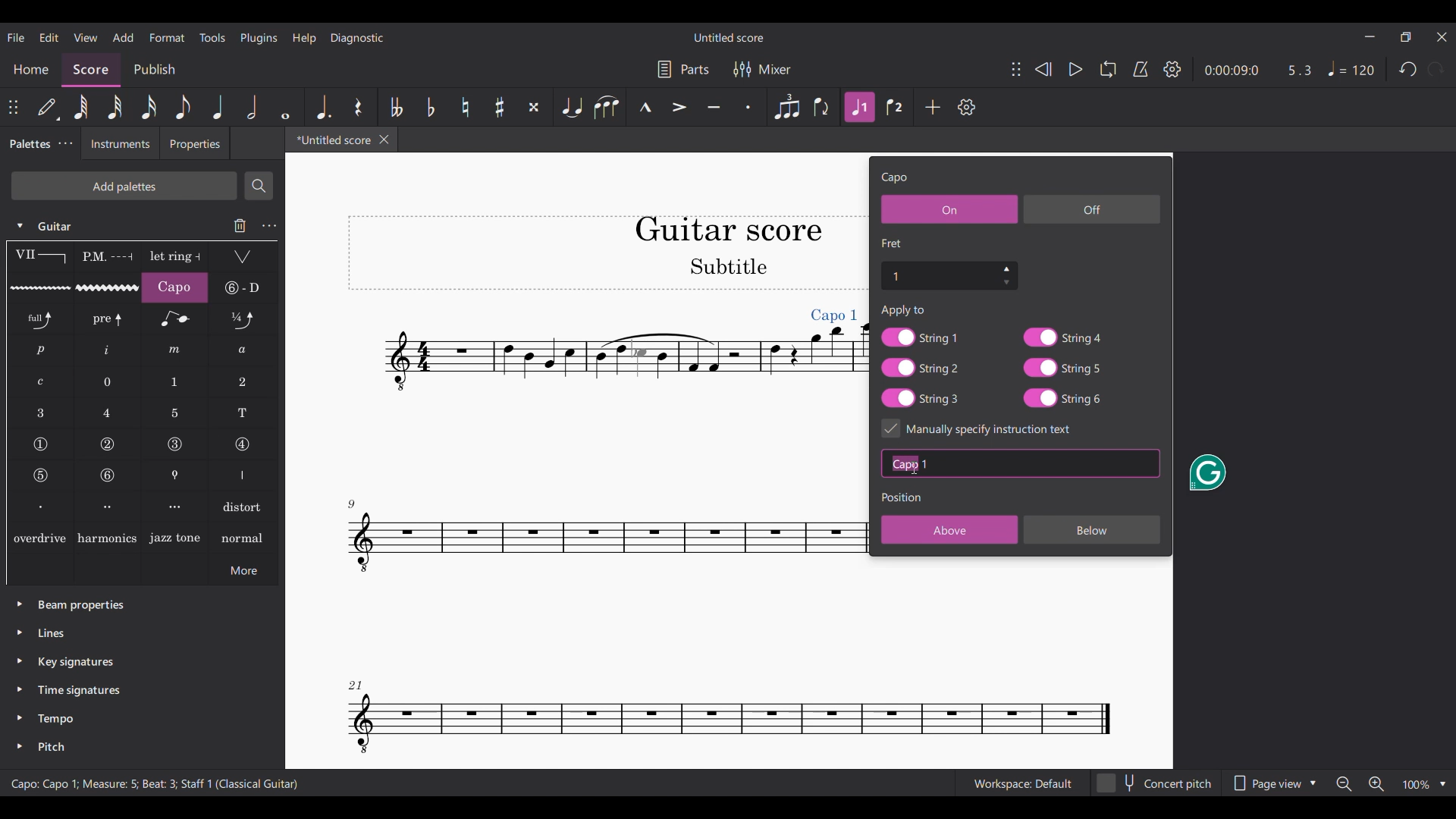  I want to click on LH guitar fingering 5, so click(175, 413).